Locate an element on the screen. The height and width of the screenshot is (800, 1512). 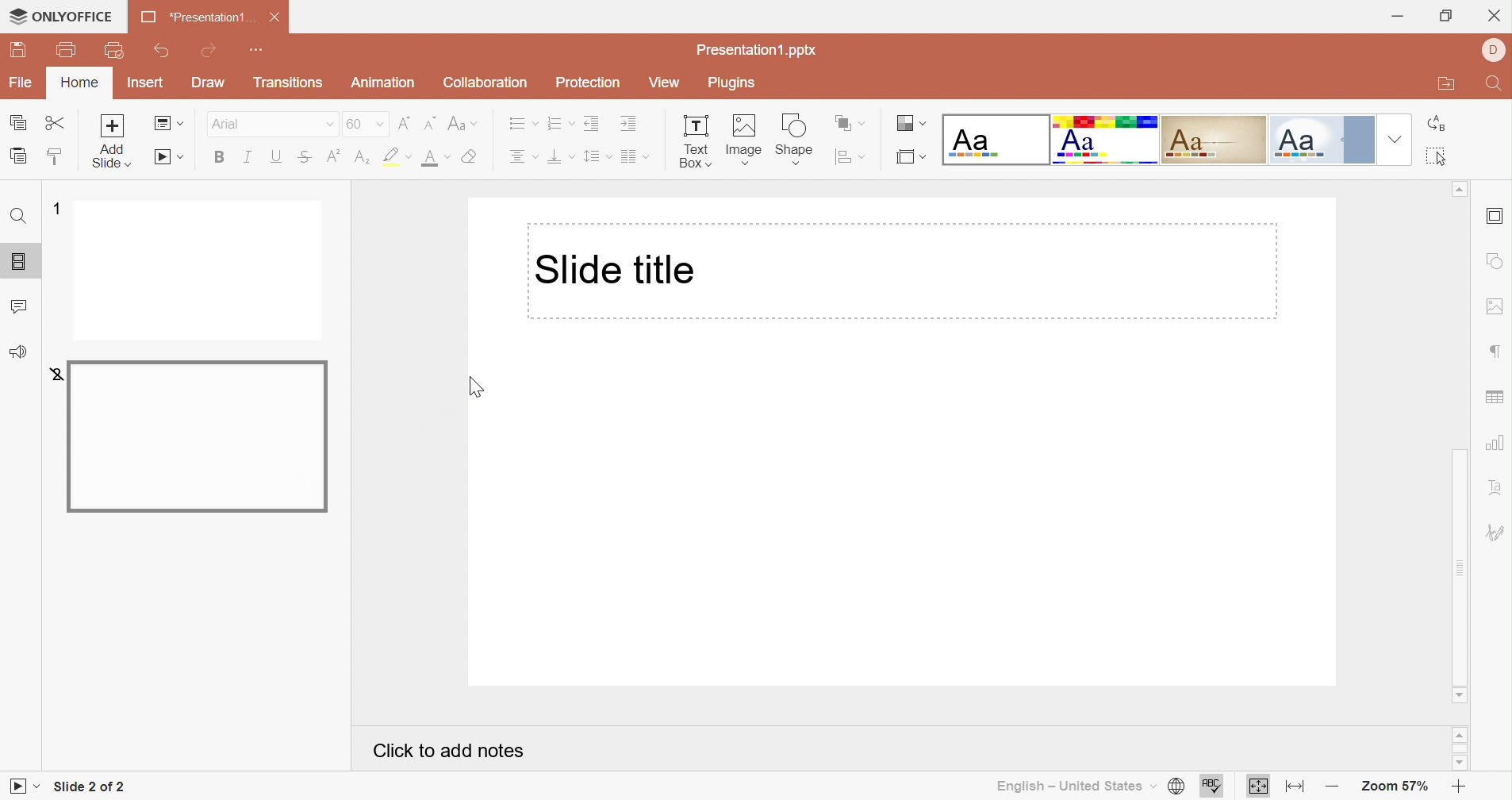
Fit to width is located at coordinates (1292, 787).